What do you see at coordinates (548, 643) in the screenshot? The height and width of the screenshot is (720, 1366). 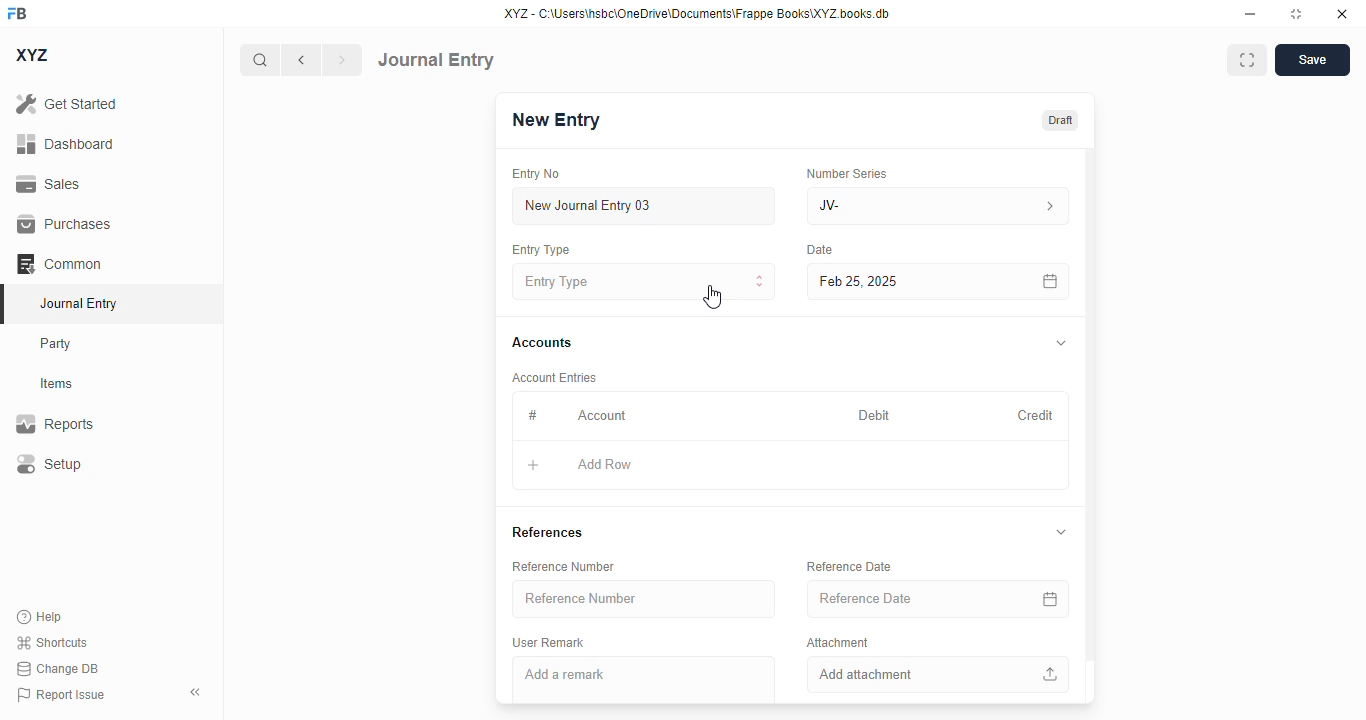 I see `user remark` at bounding box center [548, 643].